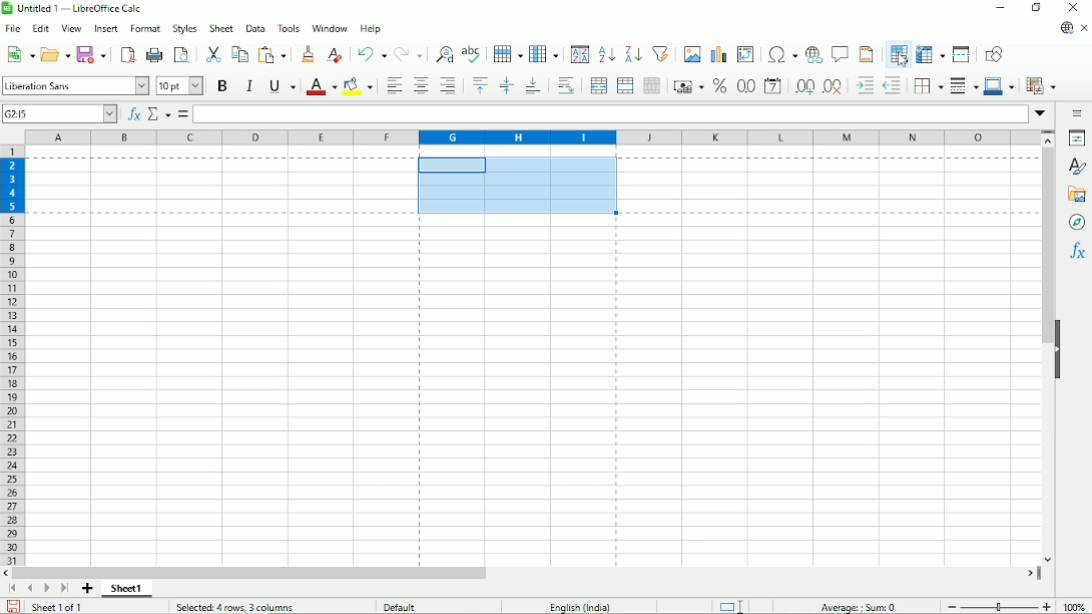 This screenshot has width=1092, height=614. What do you see at coordinates (358, 86) in the screenshot?
I see `Background color` at bounding box center [358, 86].